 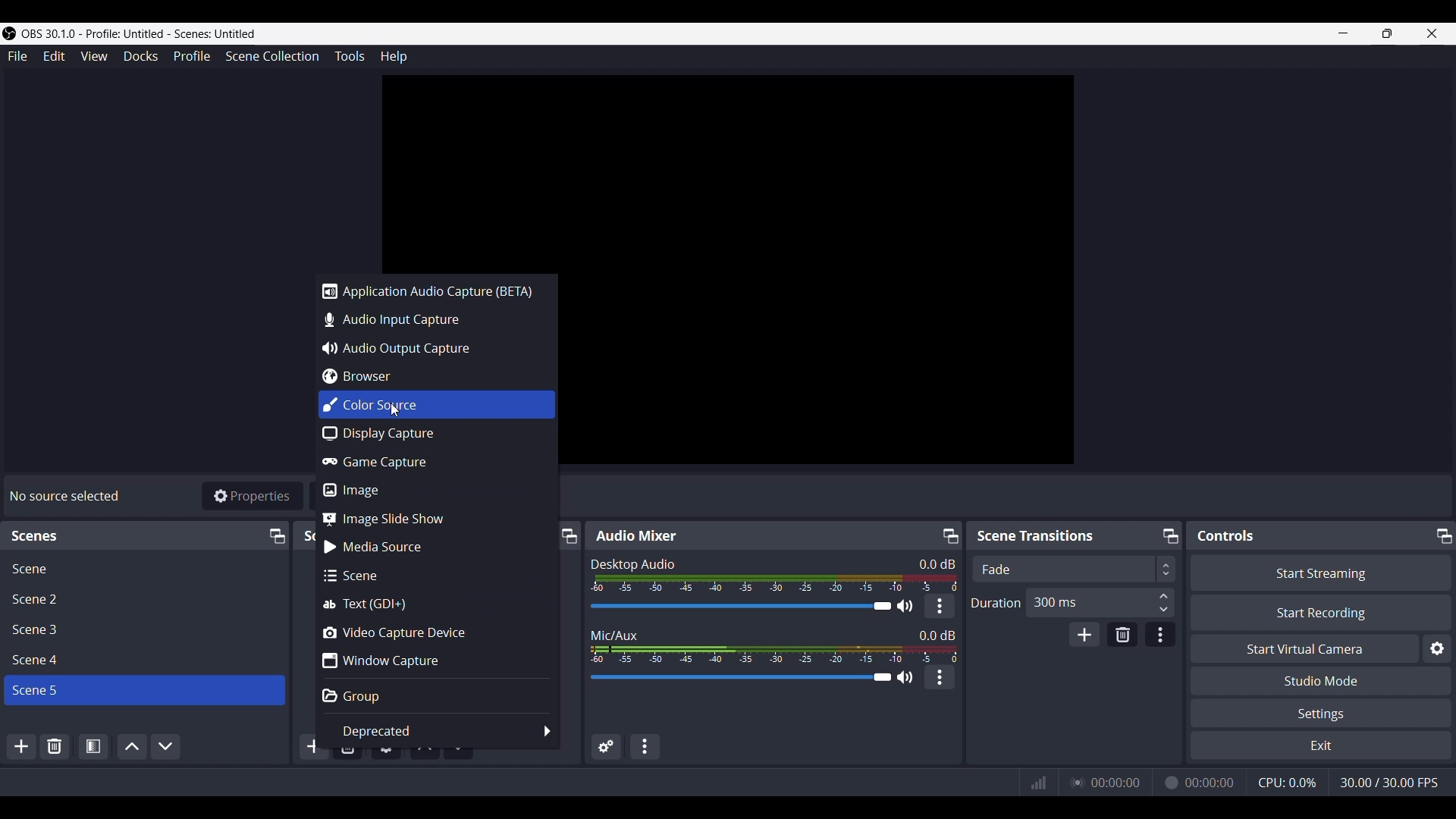 What do you see at coordinates (140, 56) in the screenshot?
I see `Docks` at bounding box center [140, 56].